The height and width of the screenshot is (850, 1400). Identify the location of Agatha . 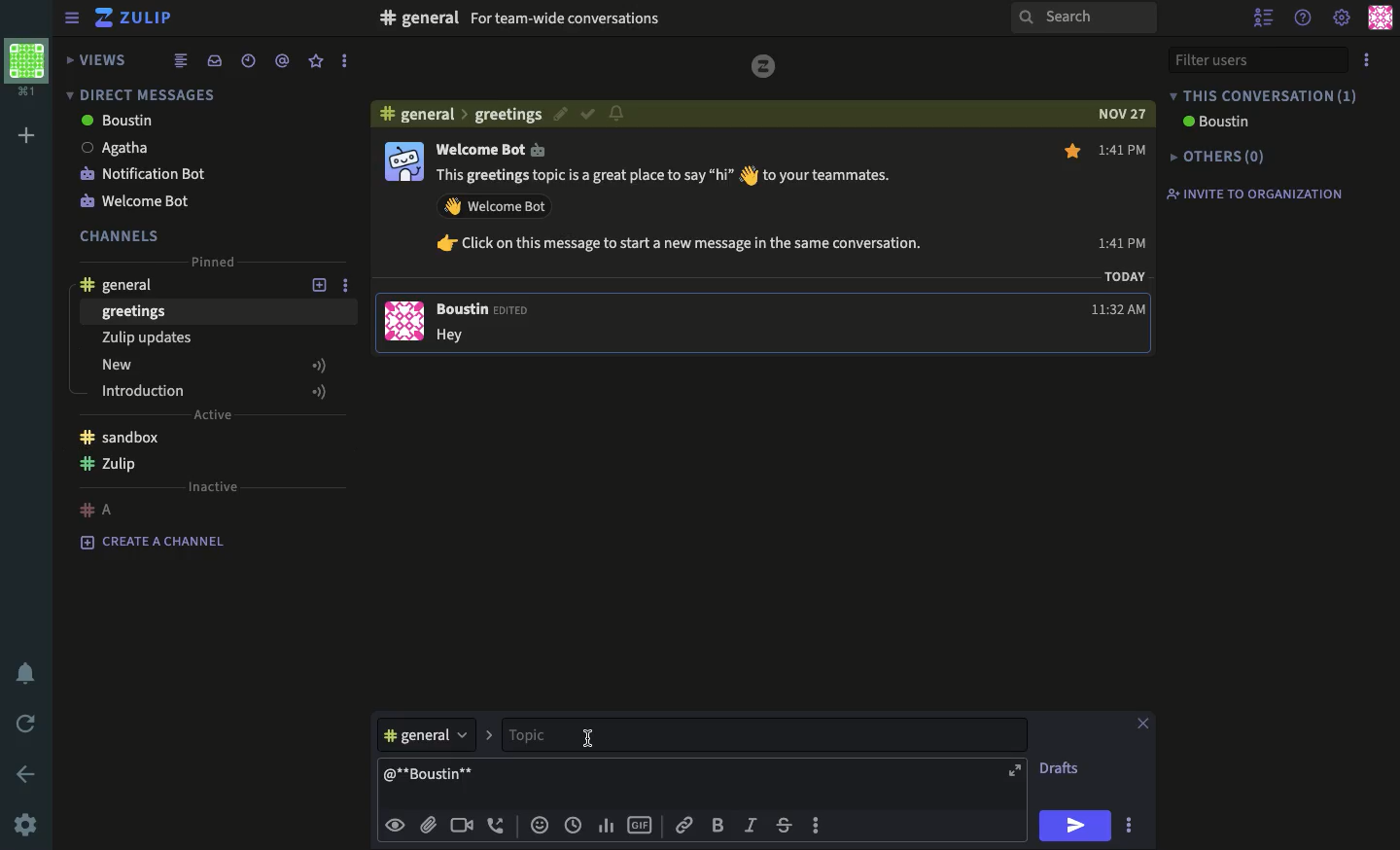
(115, 147).